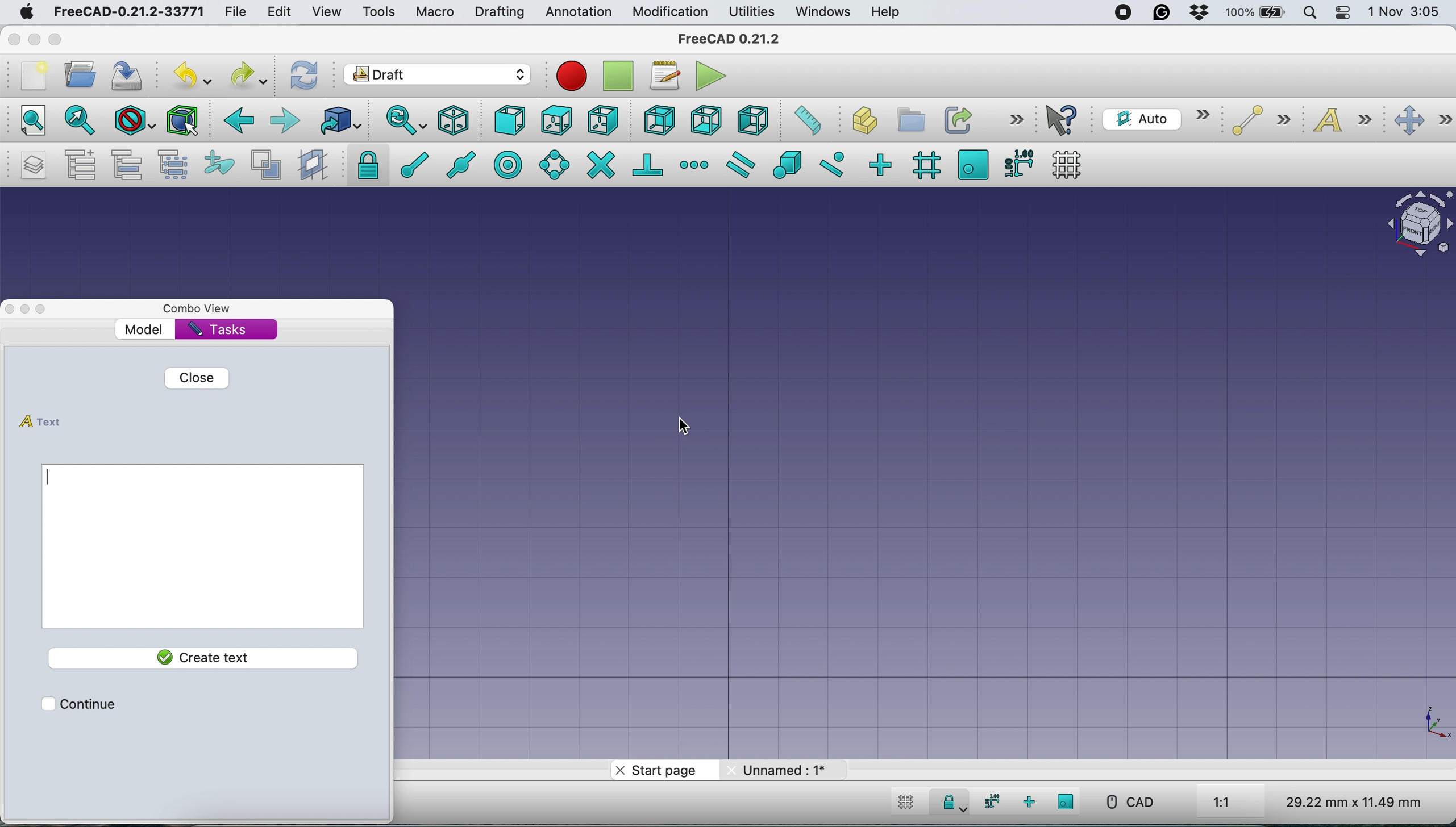 Image resolution: width=1456 pixels, height=827 pixels. Describe the element at coordinates (125, 164) in the screenshot. I see `move to group` at that location.